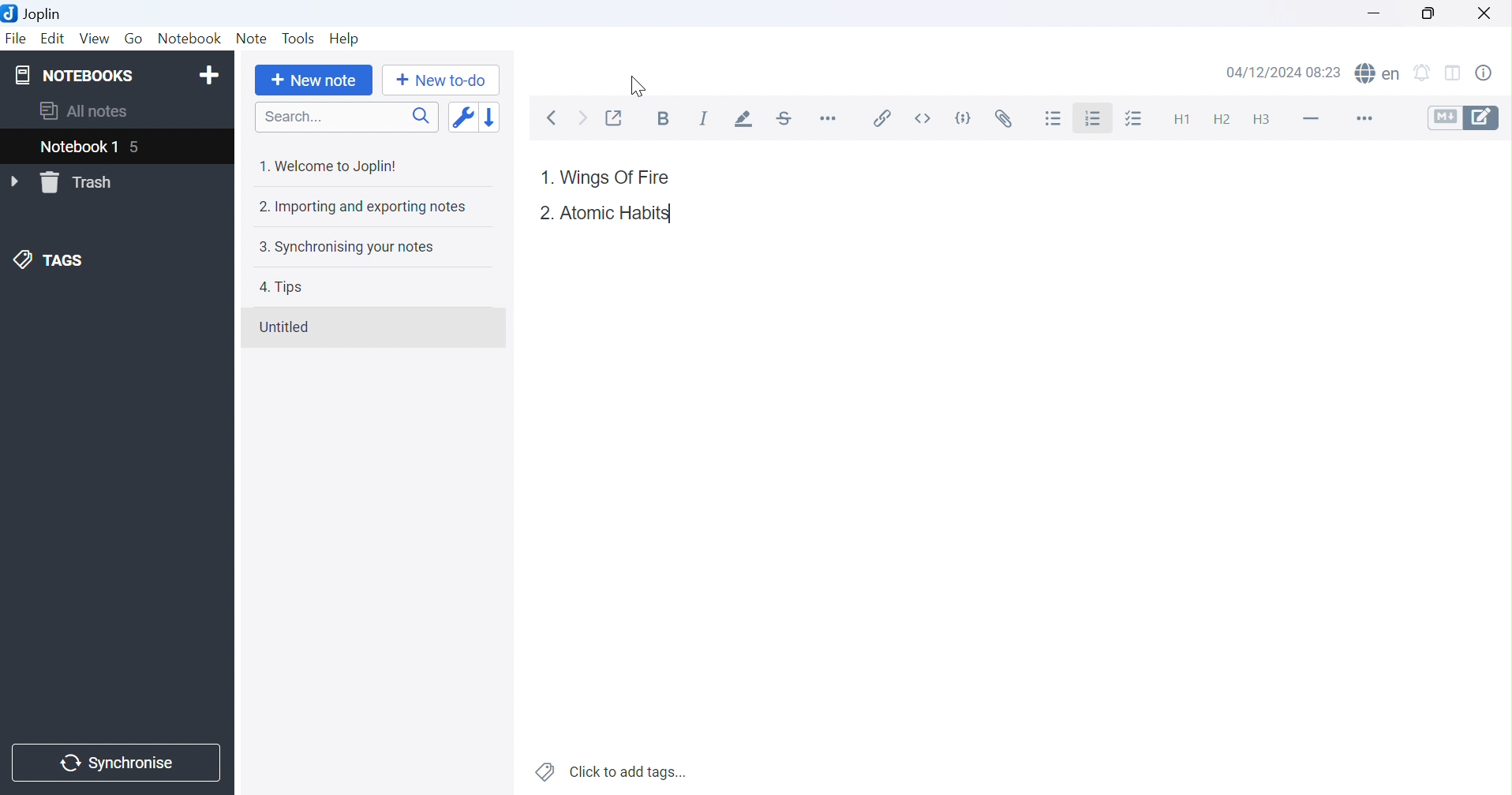  What do you see at coordinates (212, 73) in the screenshot?
I see `Add notebooks` at bounding box center [212, 73].